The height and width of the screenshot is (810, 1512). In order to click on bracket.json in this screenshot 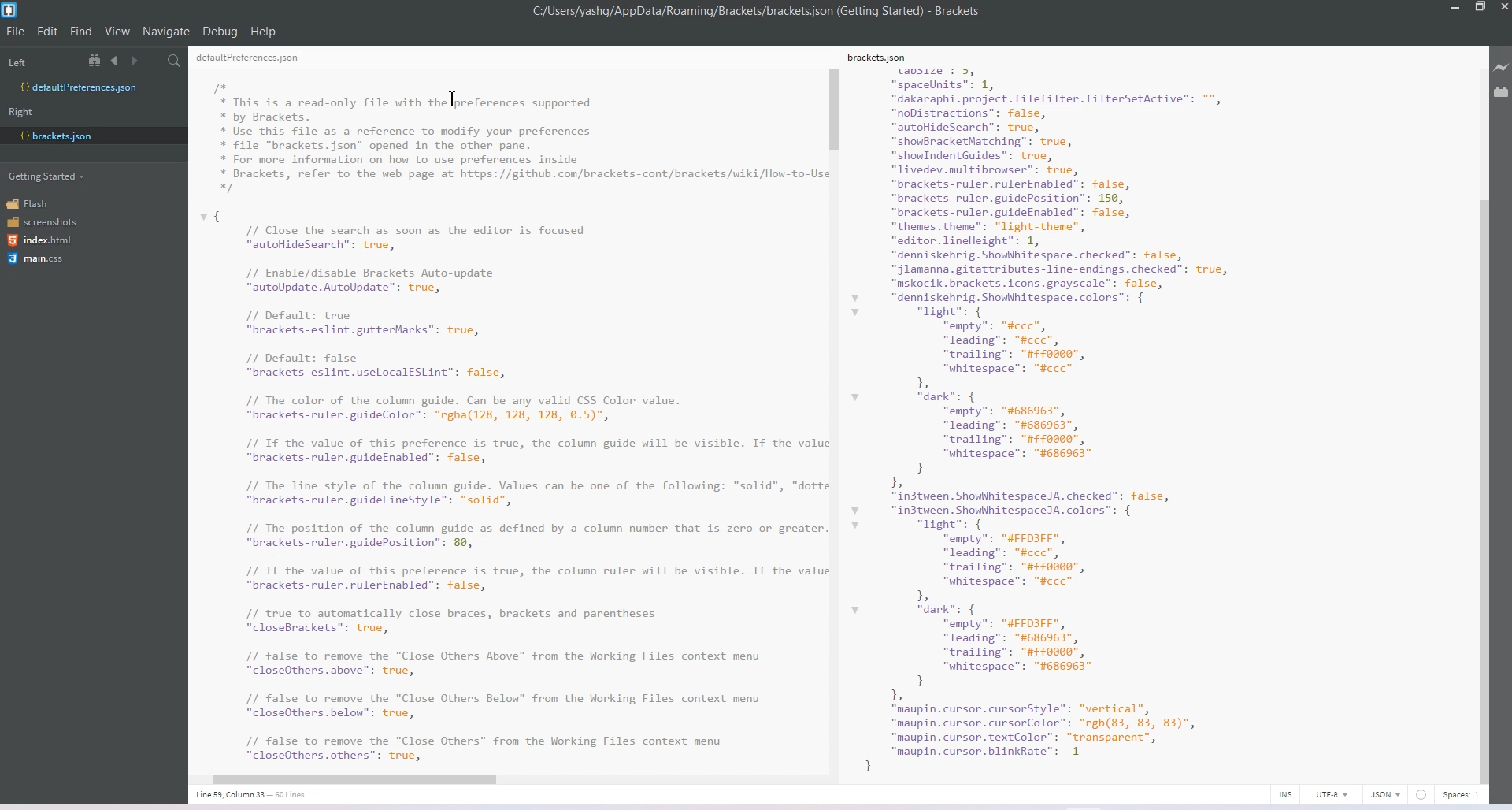, I will do `click(90, 135)`.